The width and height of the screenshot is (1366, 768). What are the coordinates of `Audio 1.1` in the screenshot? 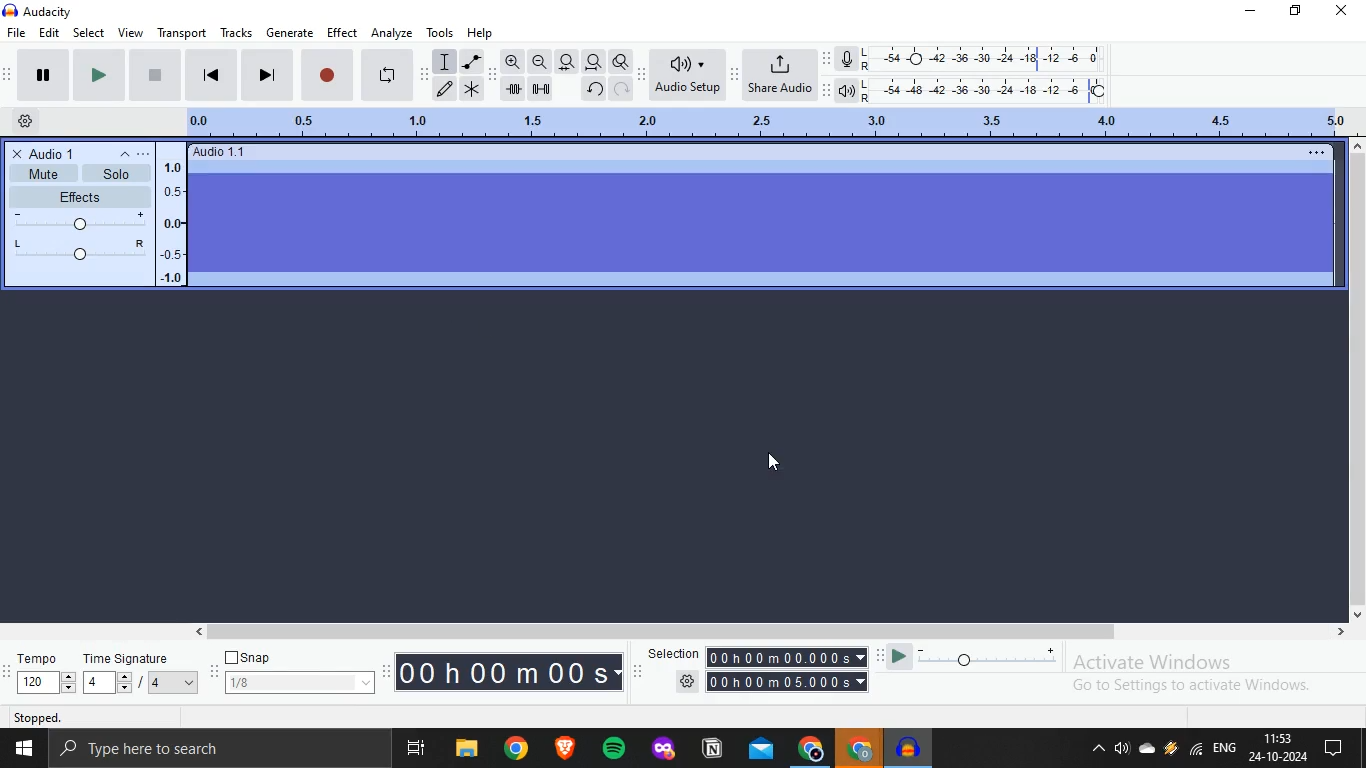 It's located at (766, 216).